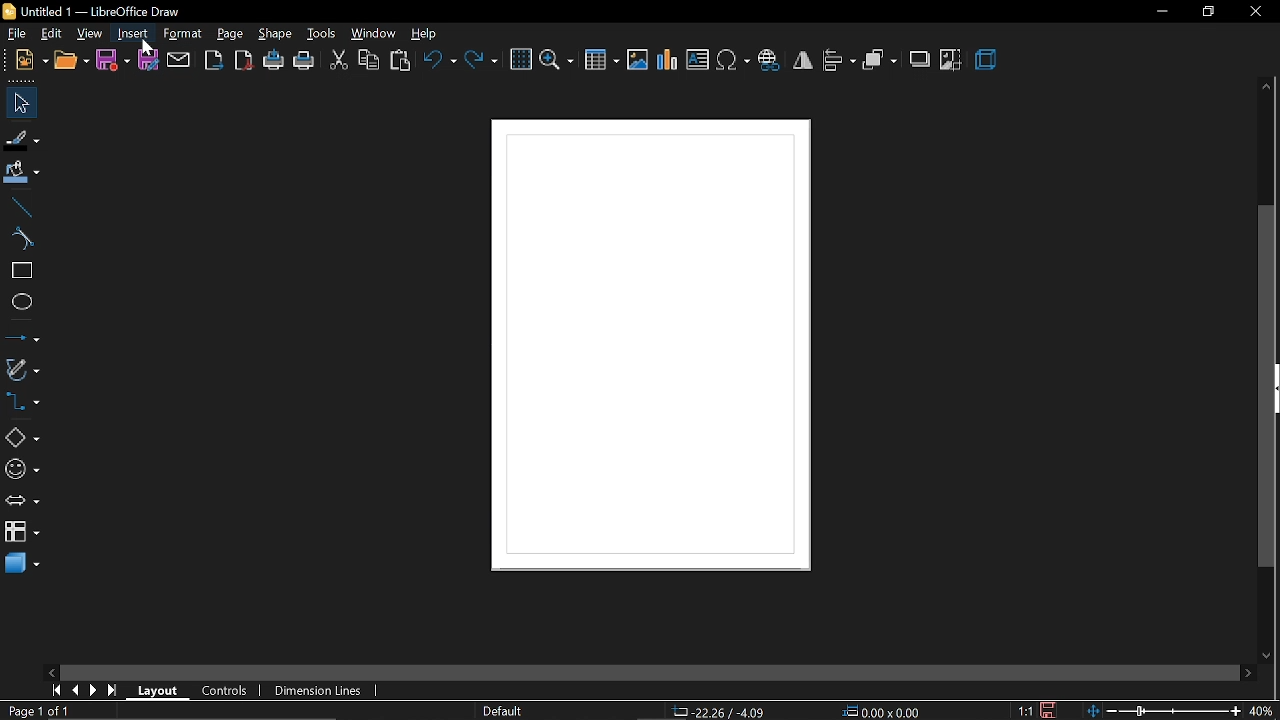 This screenshot has height=720, width=1280. I want to click on Page 1 of 1, so click(38, 711).